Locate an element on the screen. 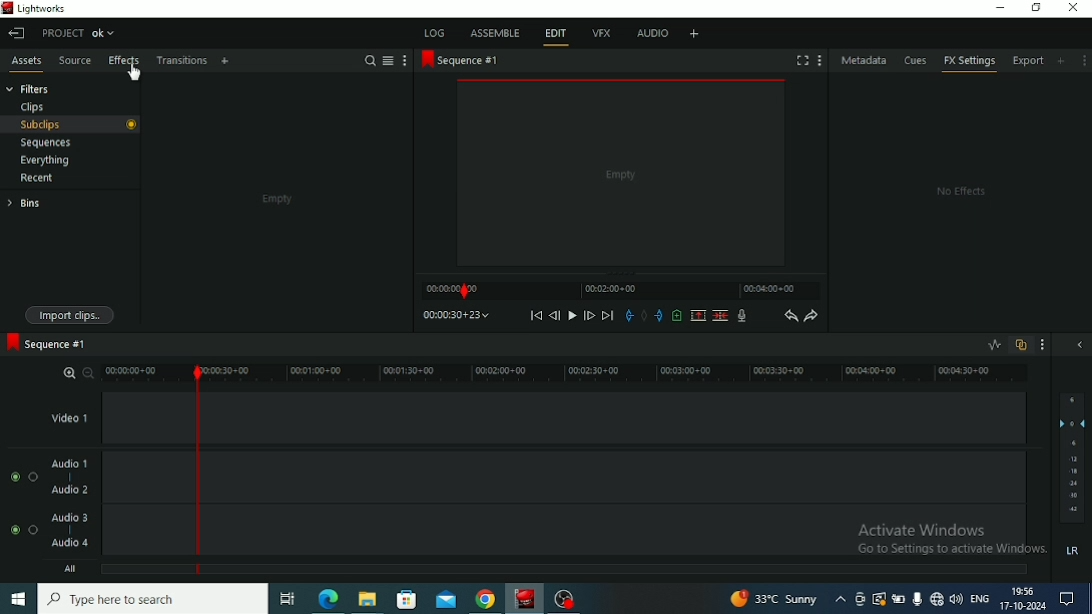 The height and width of the screenshot is (614, 1092). Undo  is located at coordinates (790, 315).